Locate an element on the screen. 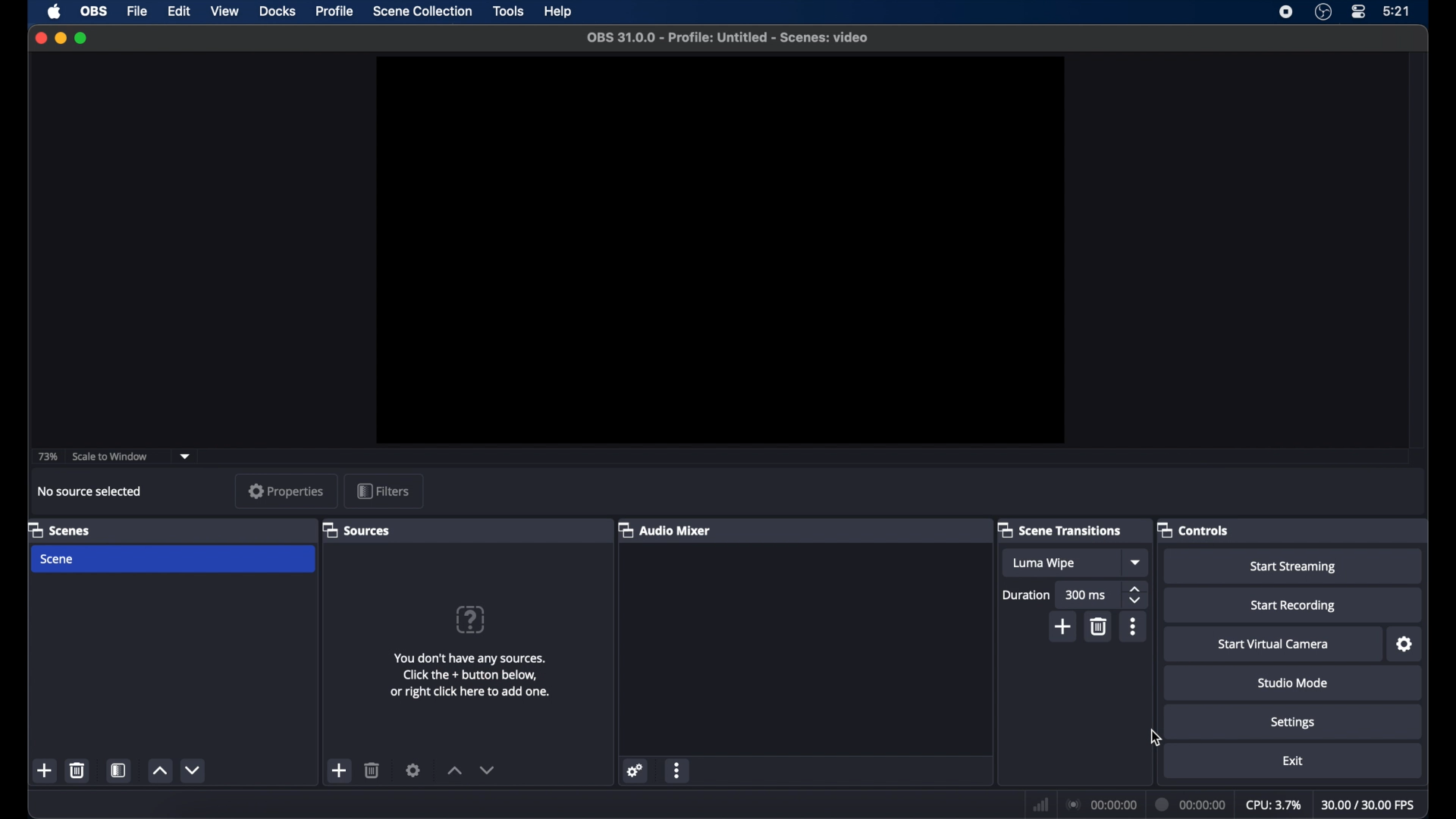  time is located at coordinates (1398, 11).